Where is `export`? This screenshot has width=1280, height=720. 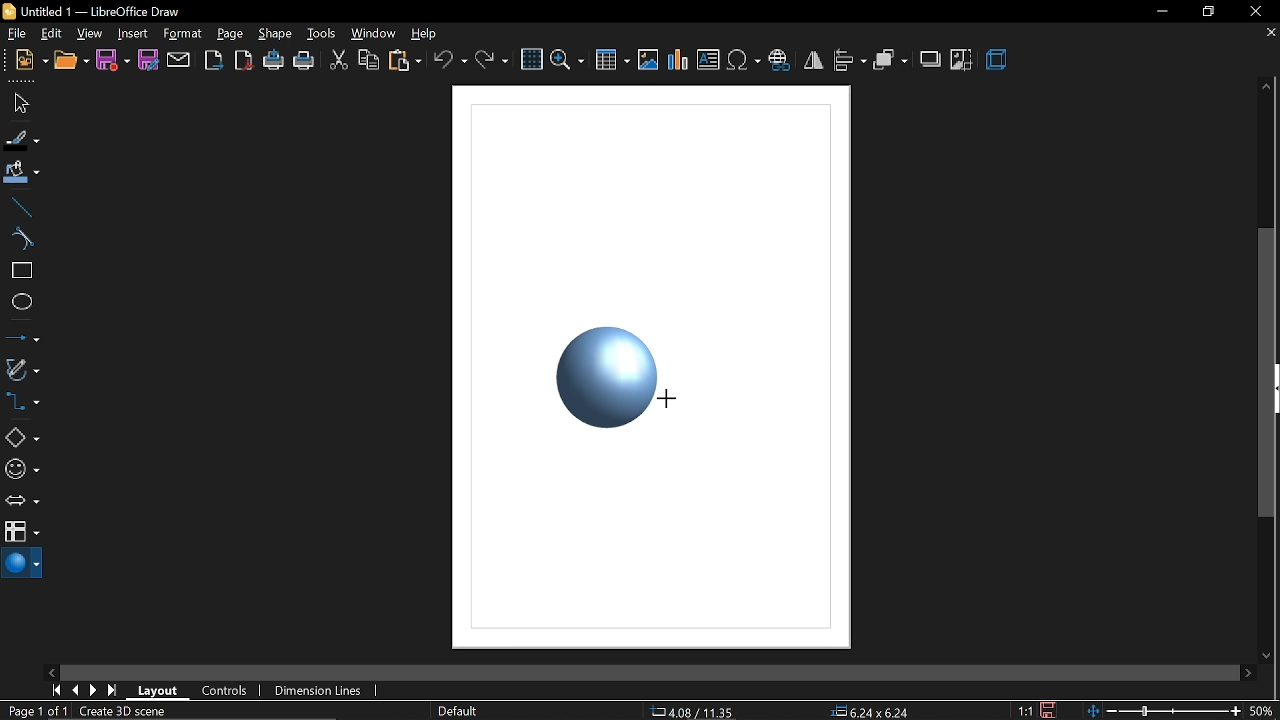
export is located at coordinates (213, 60).